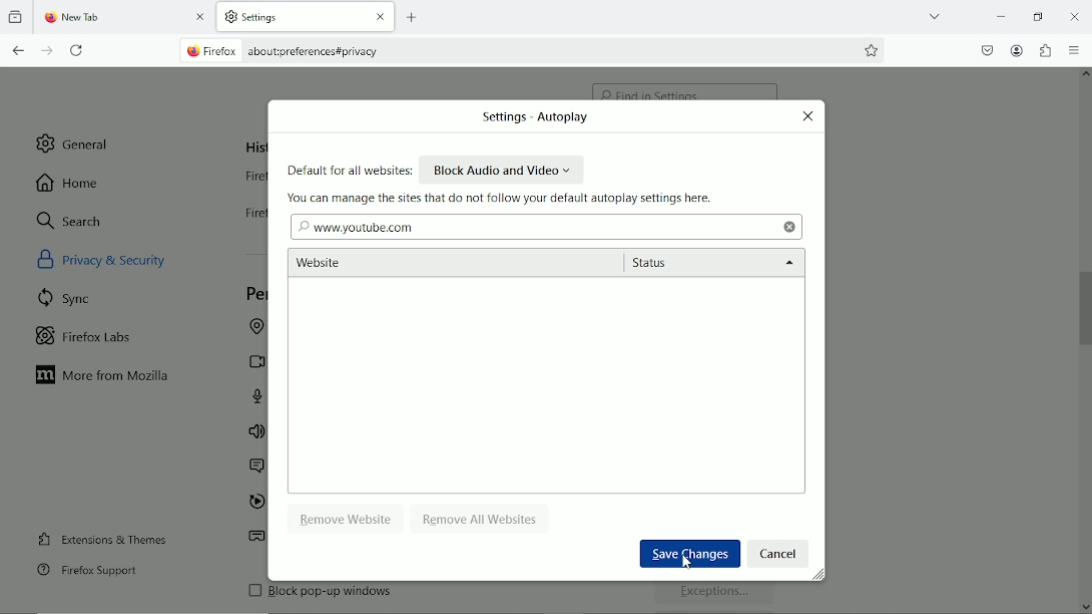 The width and height of the screenshot is (1092, 614). What do you see at coordinates (87, 571) in the screenshot?
I see `firefox support` at bounding box center [87, 571].